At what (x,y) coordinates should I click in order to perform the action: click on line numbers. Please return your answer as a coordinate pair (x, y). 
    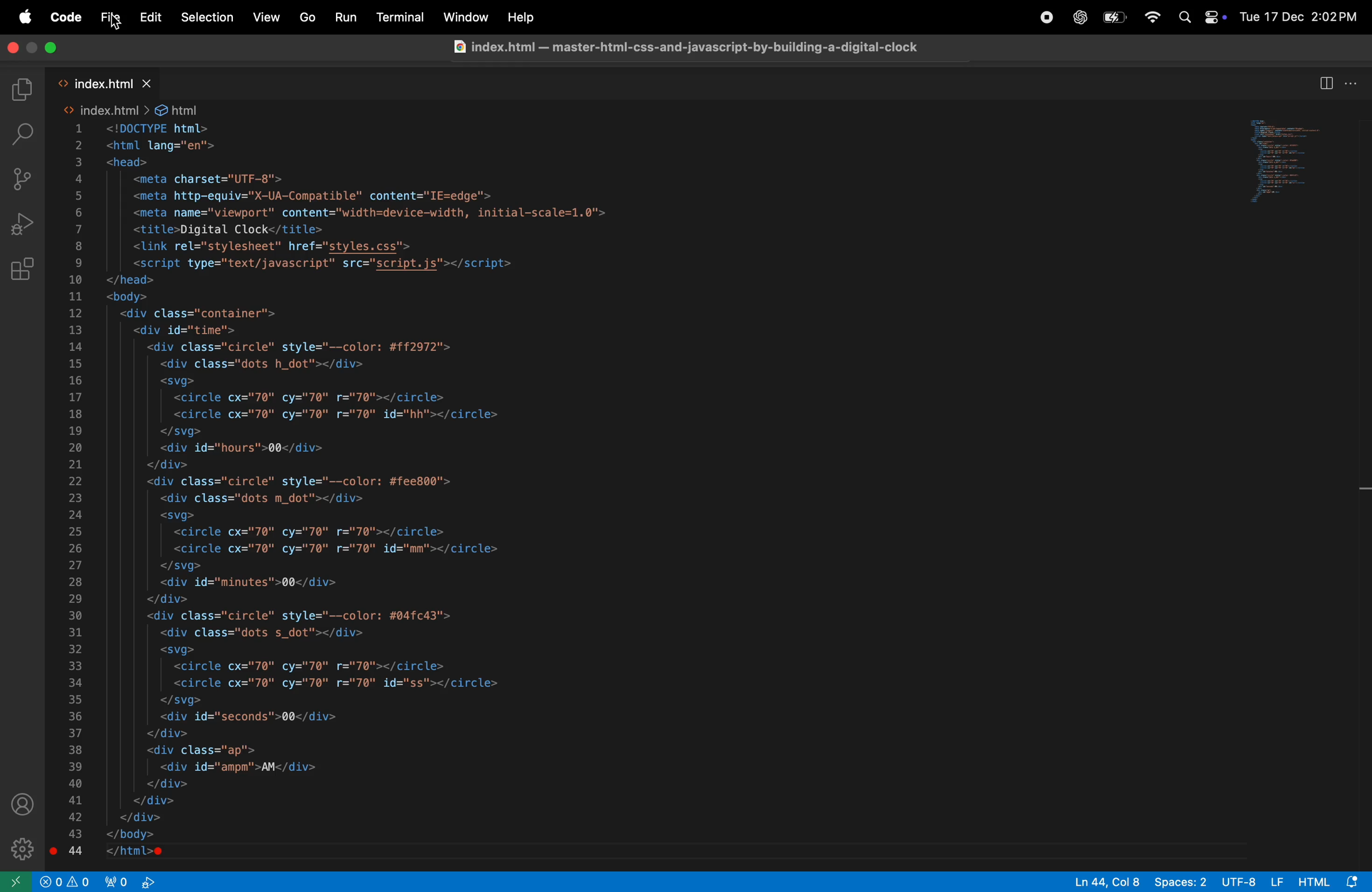
    Looking at the image, I should click on (77, 490).